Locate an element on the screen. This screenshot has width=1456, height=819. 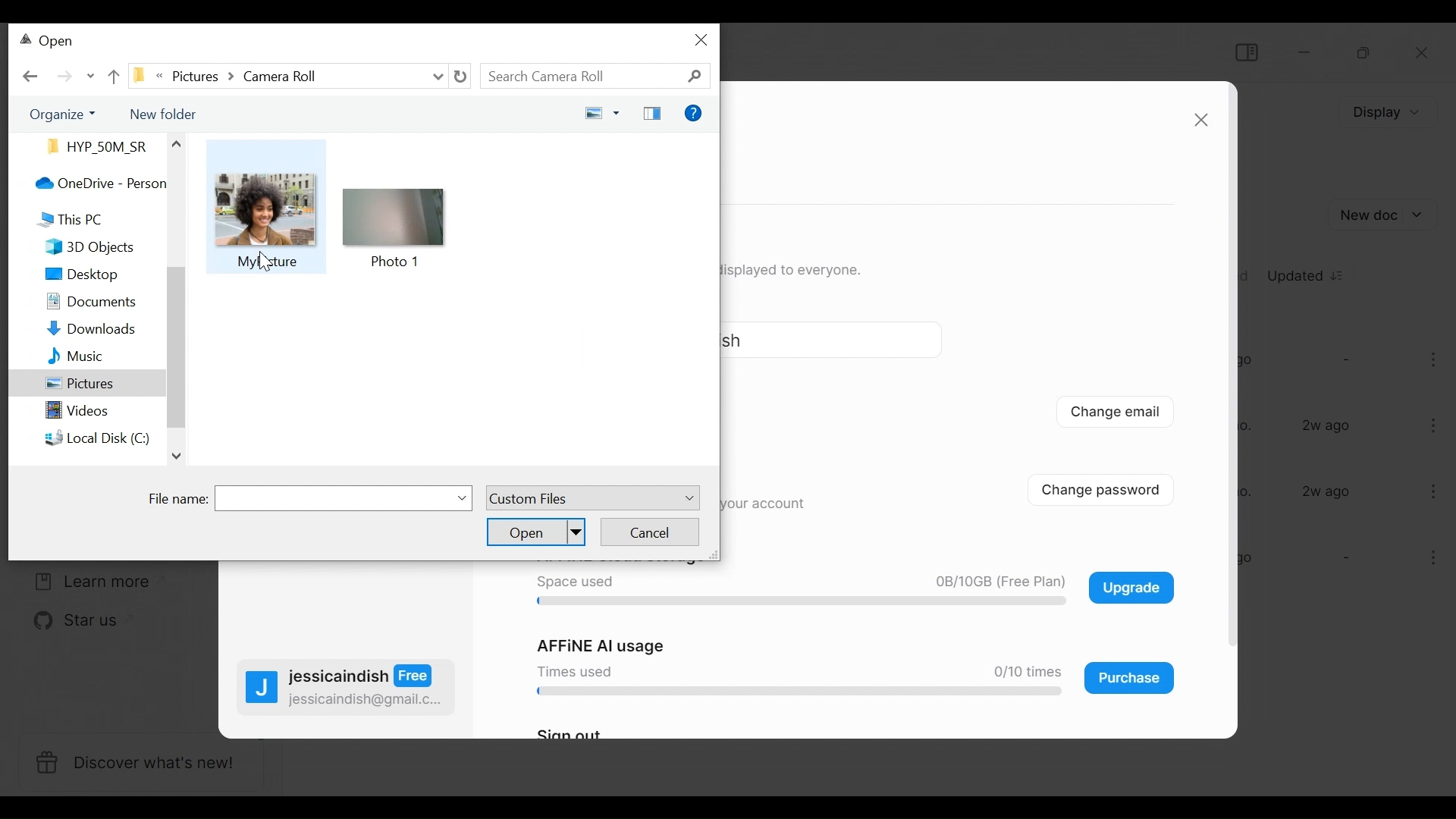
0B/10GB (Free Plan) is located at coordinates (995, 582).